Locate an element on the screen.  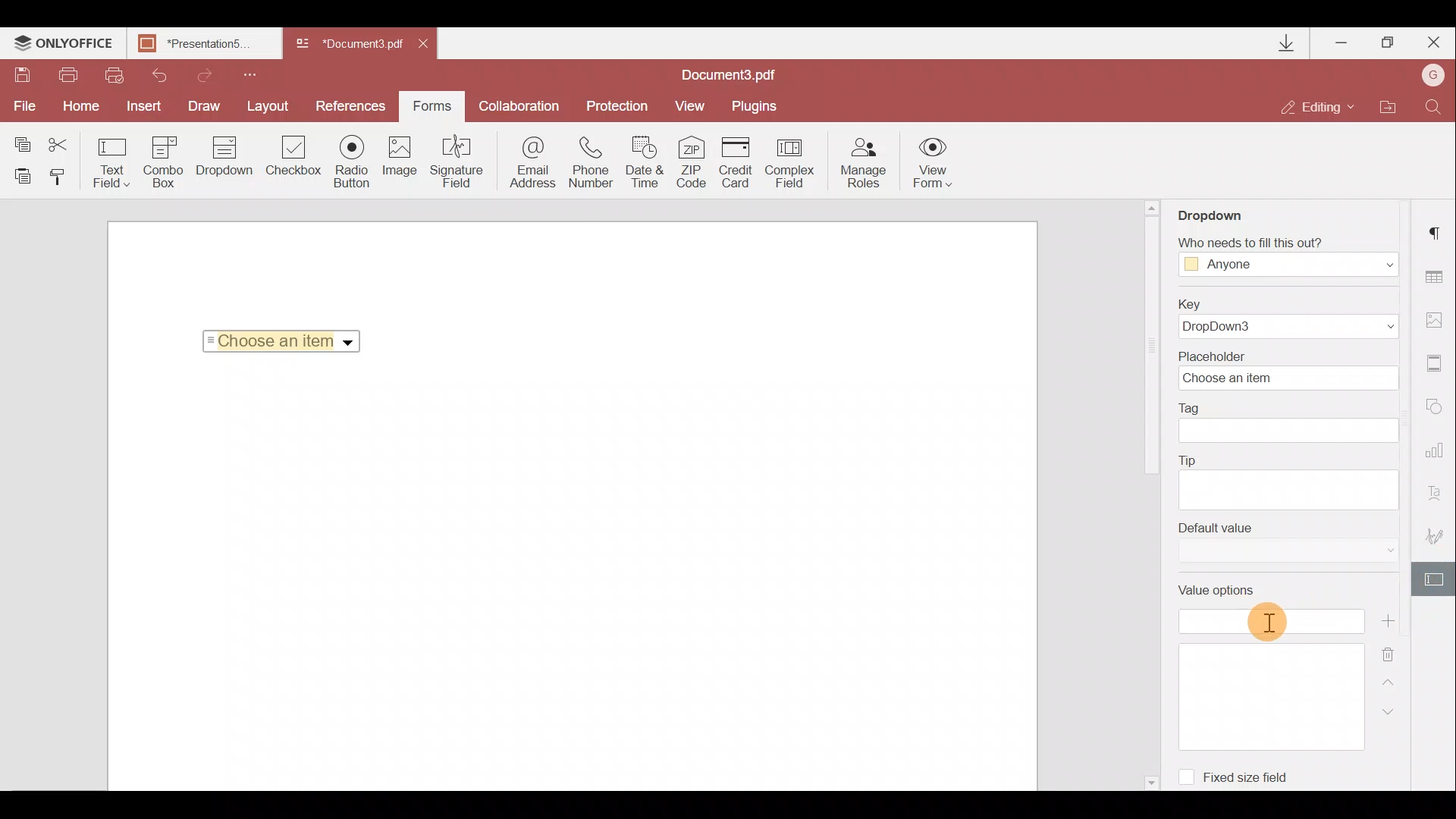
Up is located at coordinates (1391, 679).